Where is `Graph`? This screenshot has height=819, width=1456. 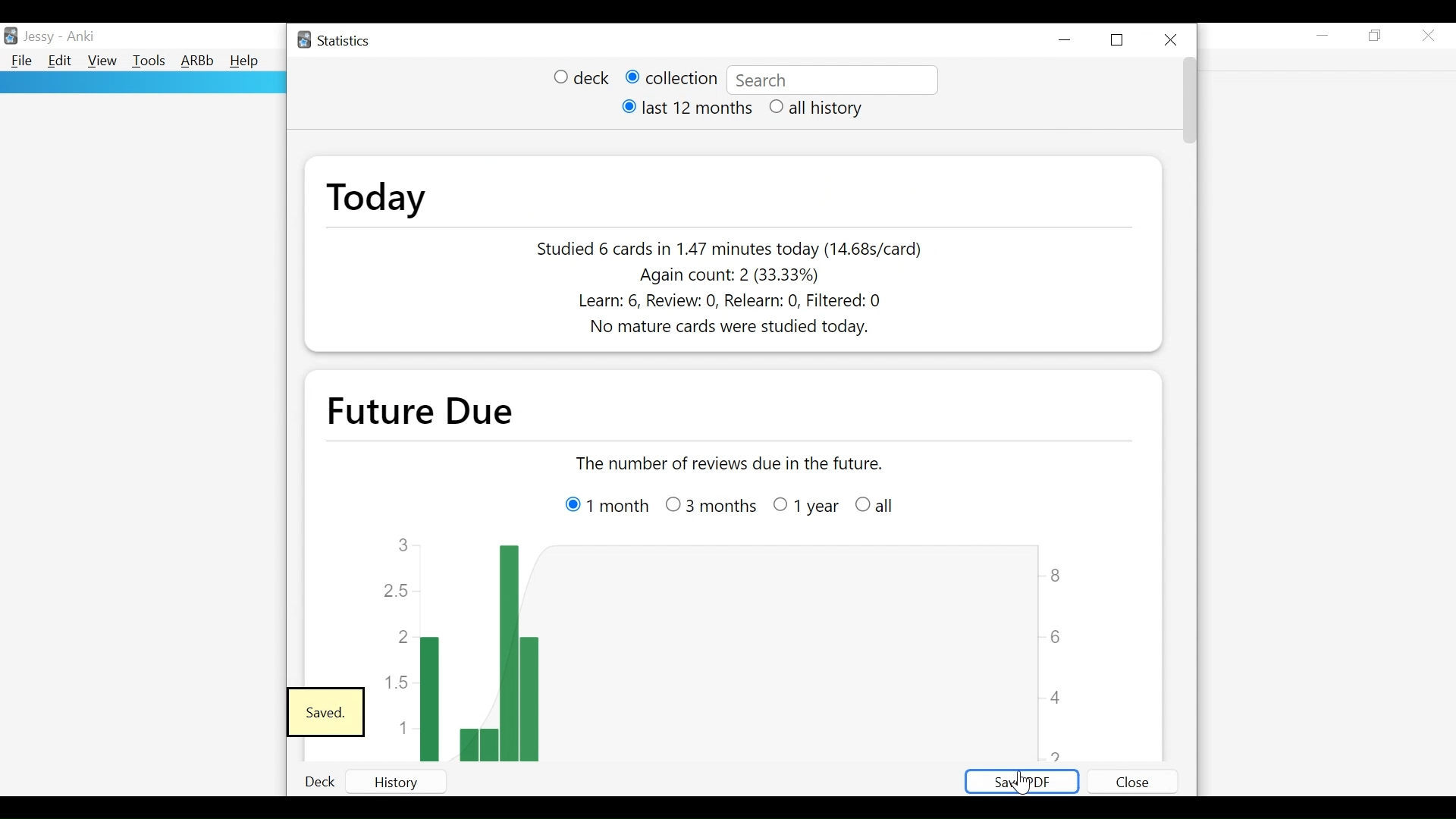
Graph is located at coordinates (725, 647).